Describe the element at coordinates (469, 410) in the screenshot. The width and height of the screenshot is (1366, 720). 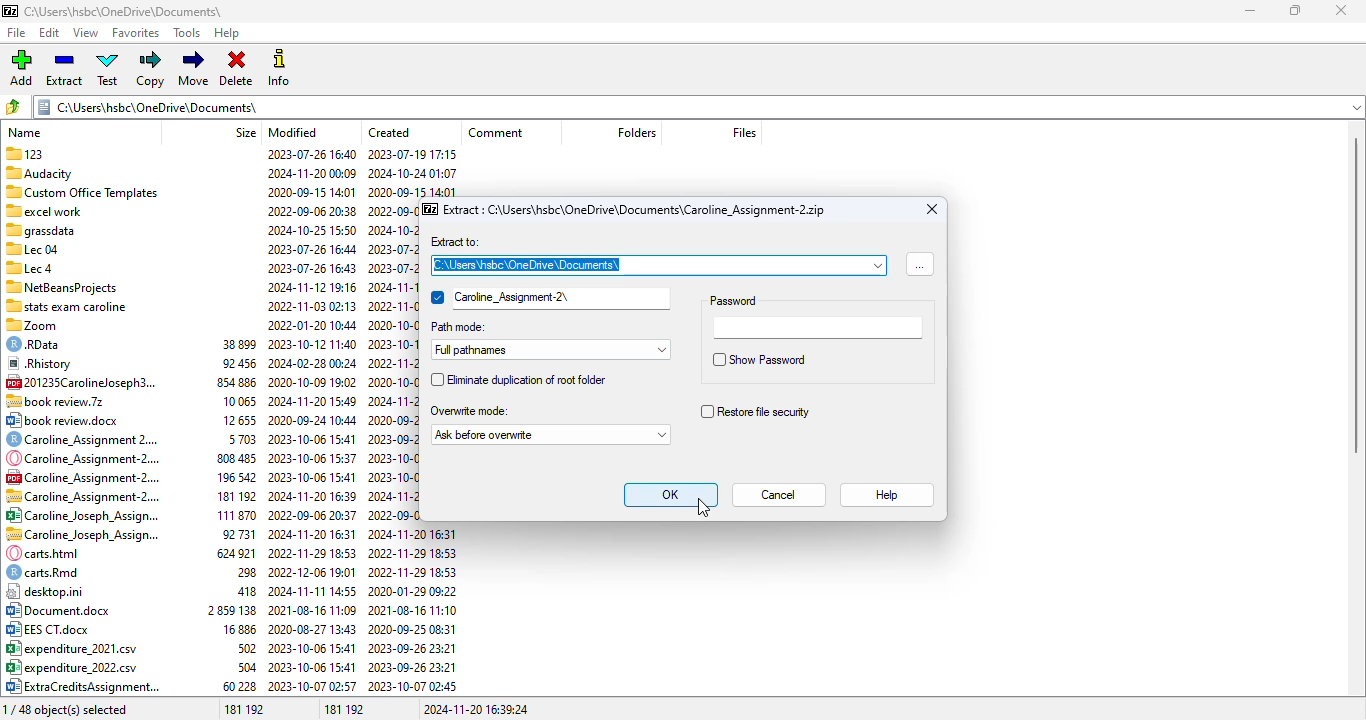
I see `overwrite mode` at that location.